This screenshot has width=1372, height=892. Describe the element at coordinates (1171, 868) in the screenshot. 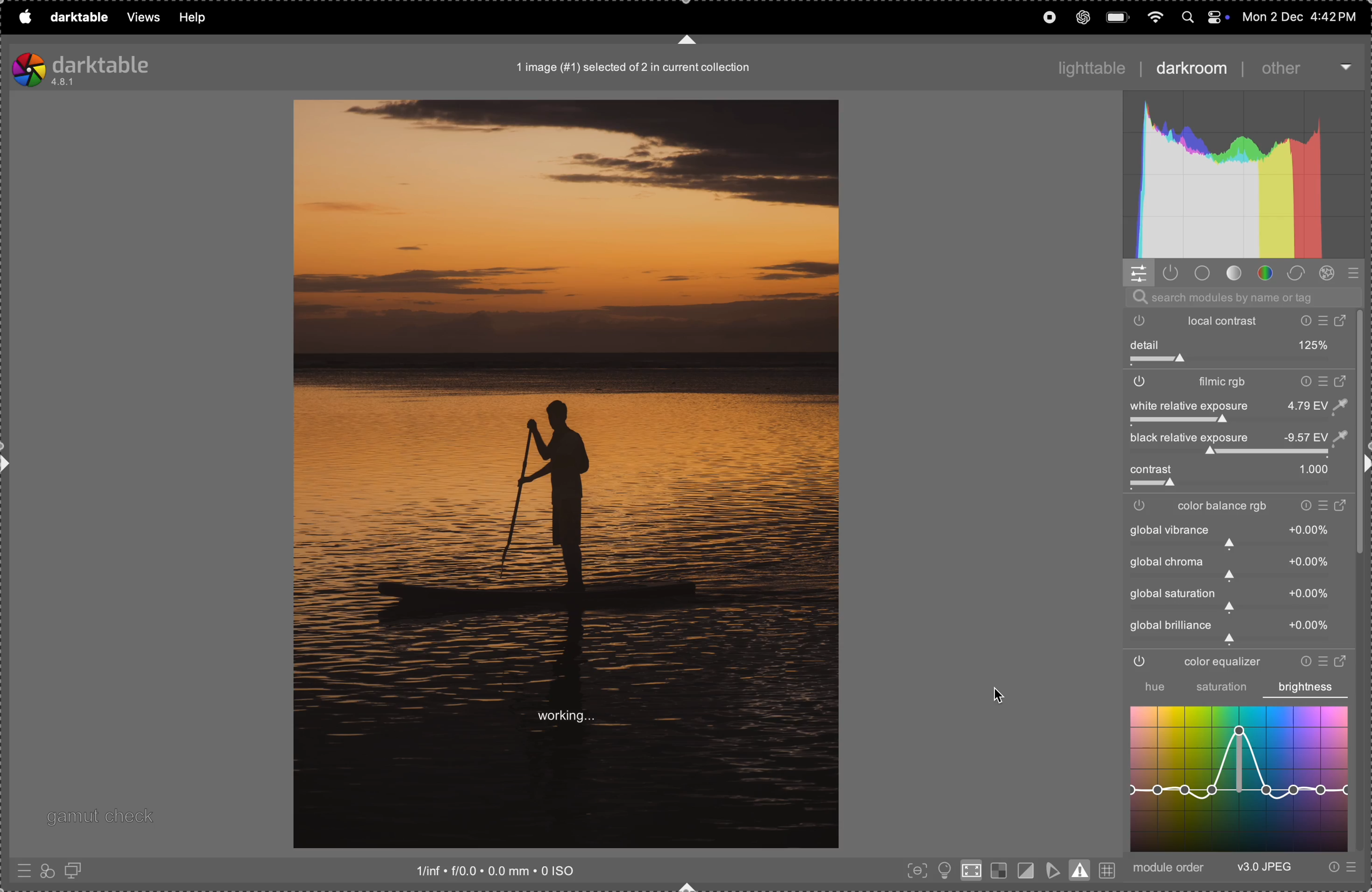

I see `module order` at that location.